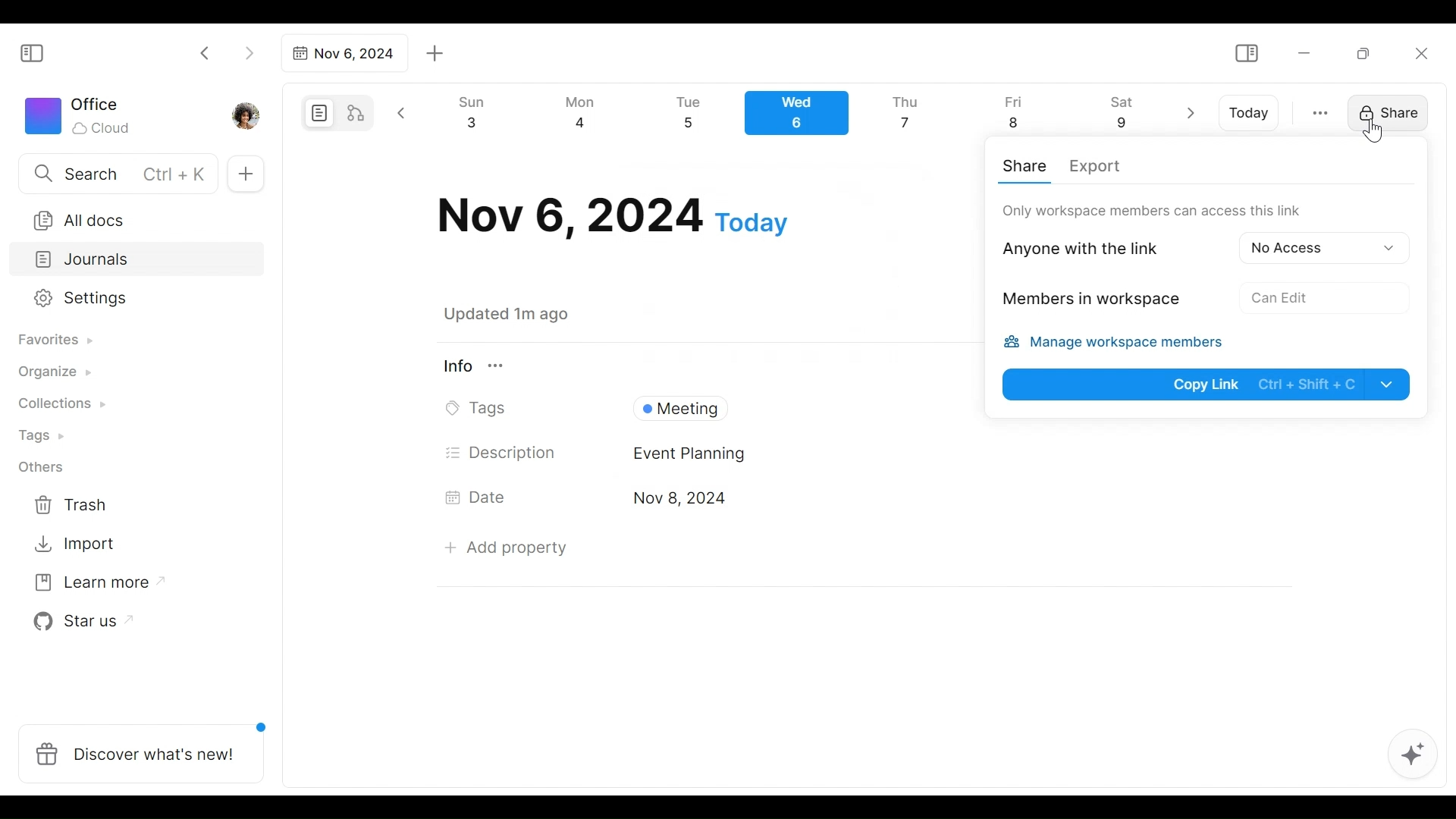 The image size is (1456, 819). What do you see at coordinates (1152, 210) in the screenshot?
I see `Only workspace can access this link` at bounding box center [1152, 210].